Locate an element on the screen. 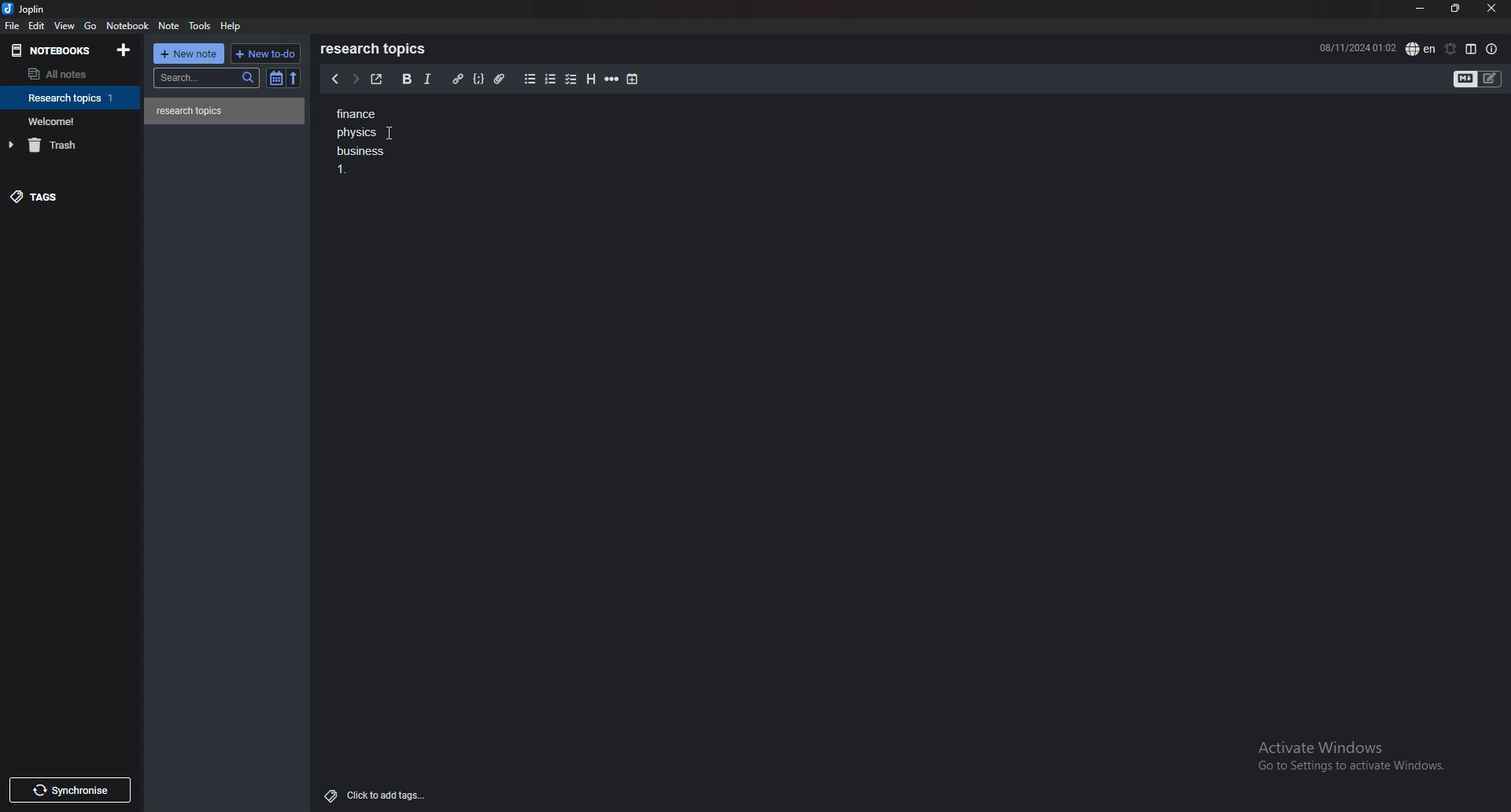  text is located at coordinates (365, 143).